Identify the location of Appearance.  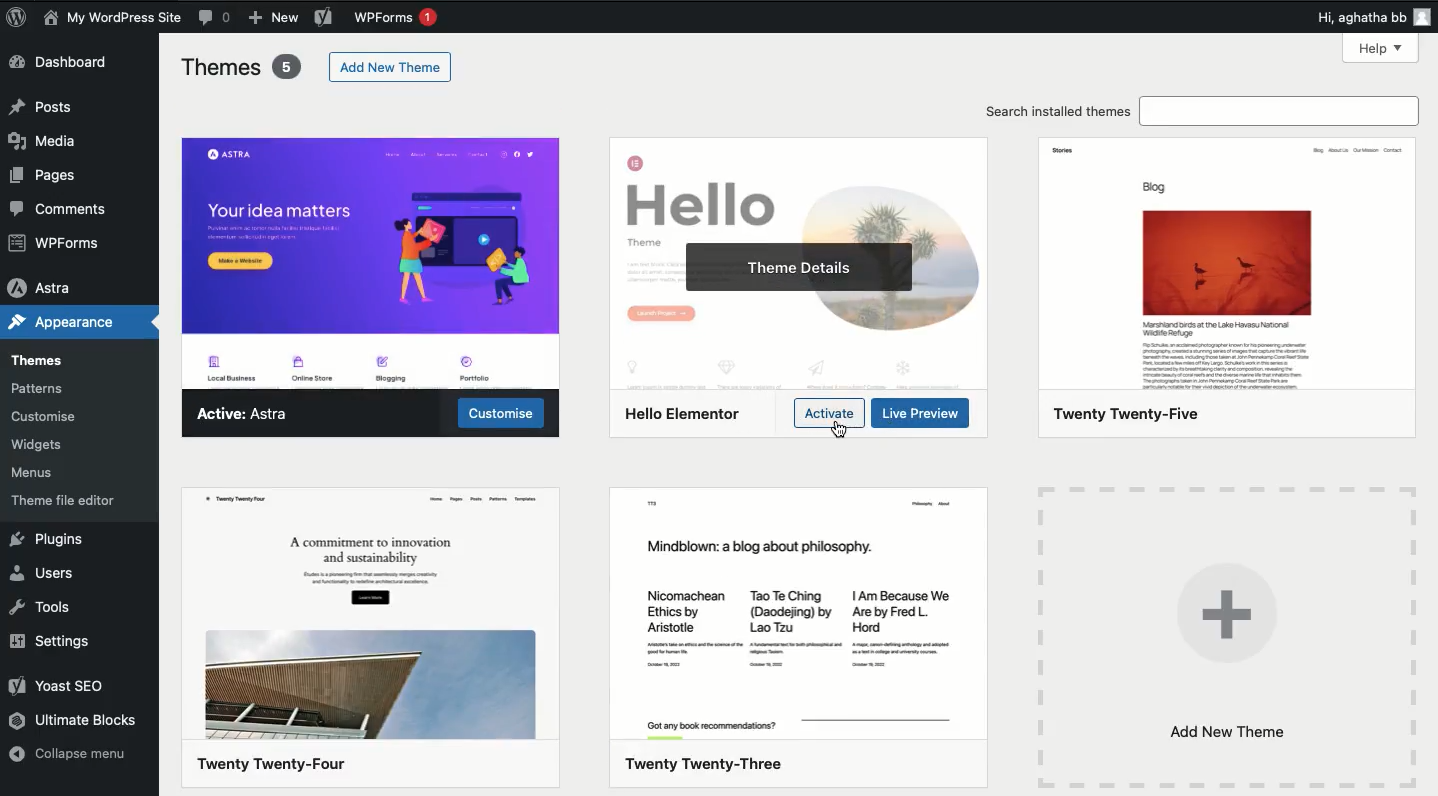
(60, 323).